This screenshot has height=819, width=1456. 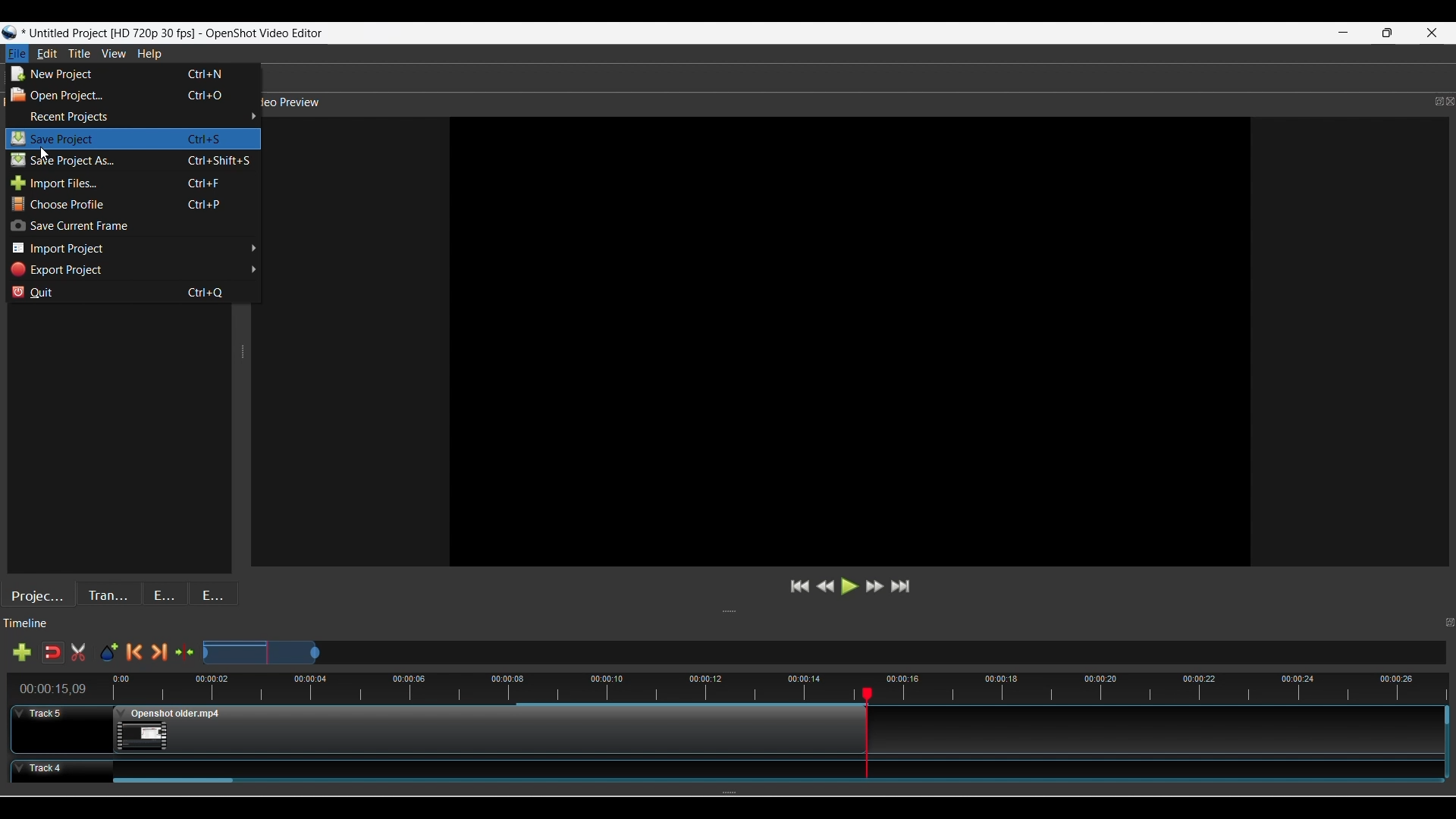 I want to click on Clip at Track Panel, so click(x=762, y=767).